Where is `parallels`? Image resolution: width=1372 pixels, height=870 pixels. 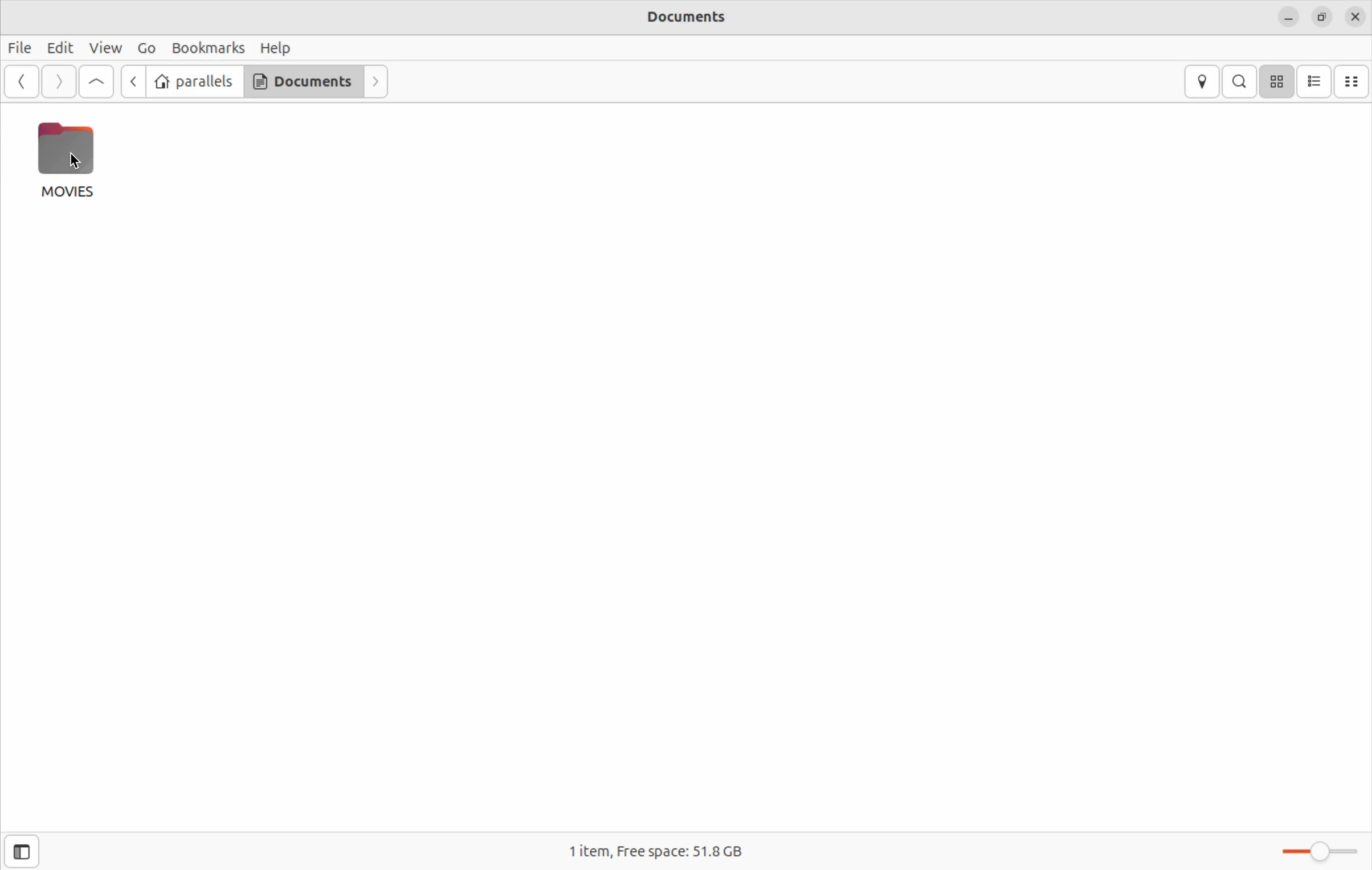
parallels is located at coordinates (194, 82).